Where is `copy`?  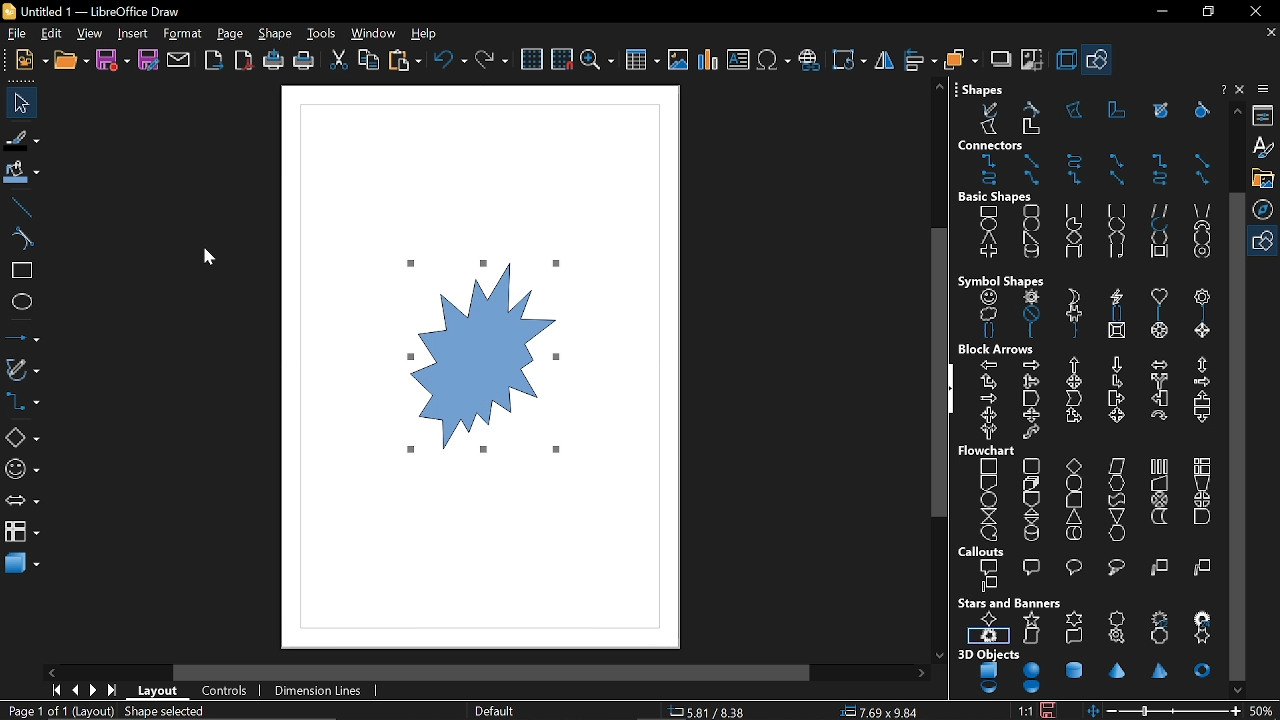
copy is located at coordinates (368, 60).